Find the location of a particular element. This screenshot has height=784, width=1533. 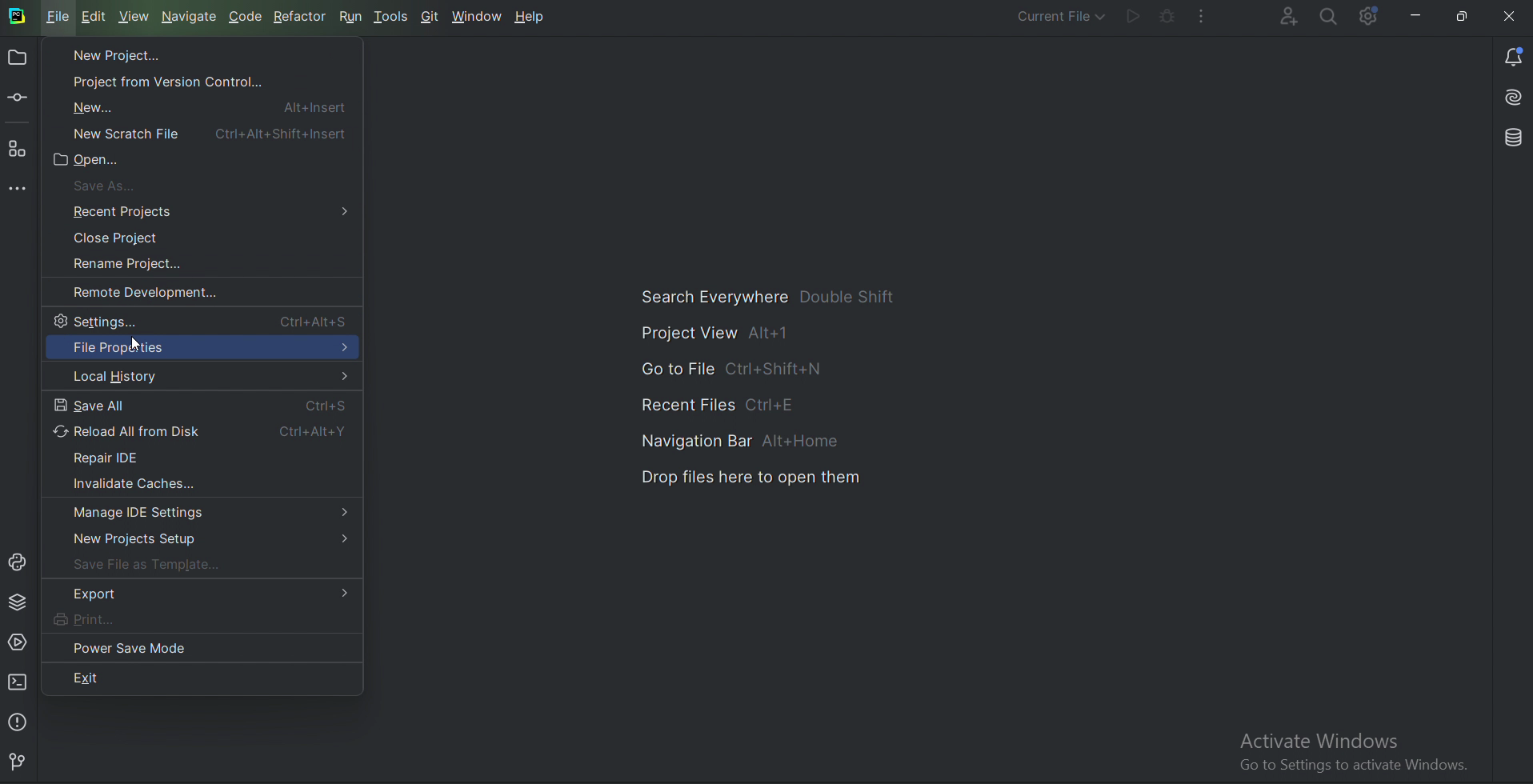

close is located at coordinates (1510, 18).